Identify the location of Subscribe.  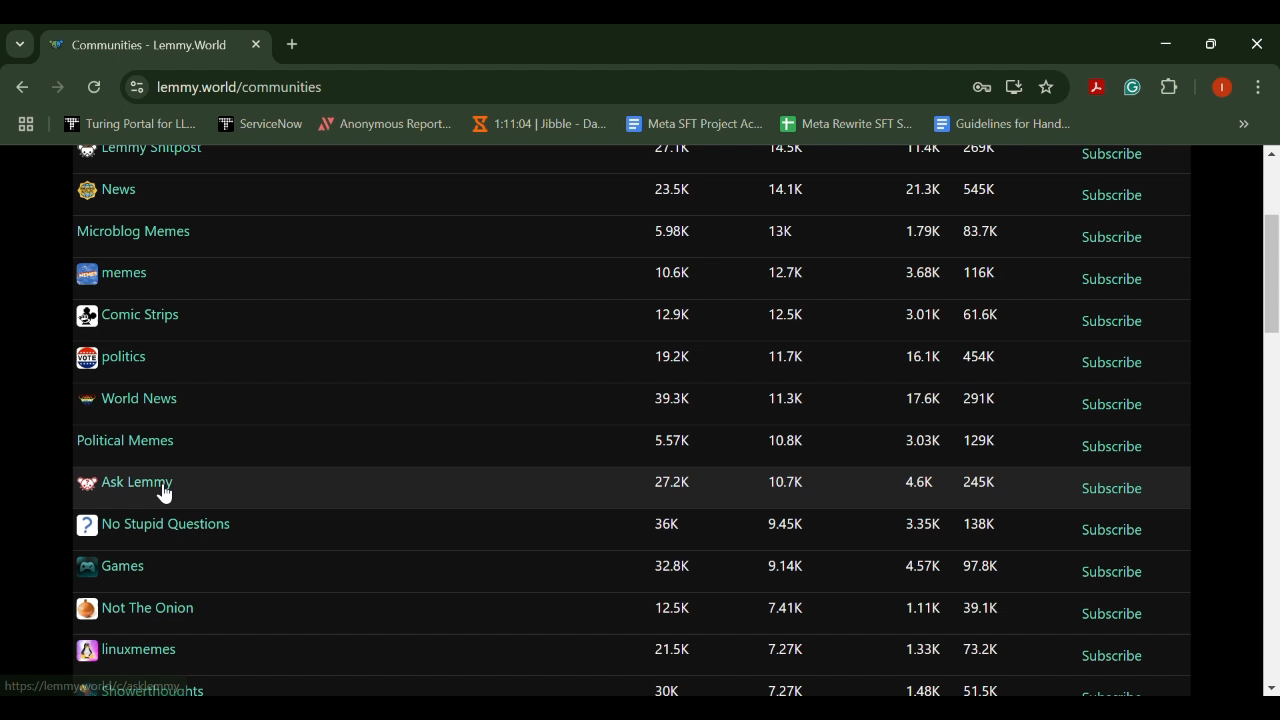
(1113, 616).